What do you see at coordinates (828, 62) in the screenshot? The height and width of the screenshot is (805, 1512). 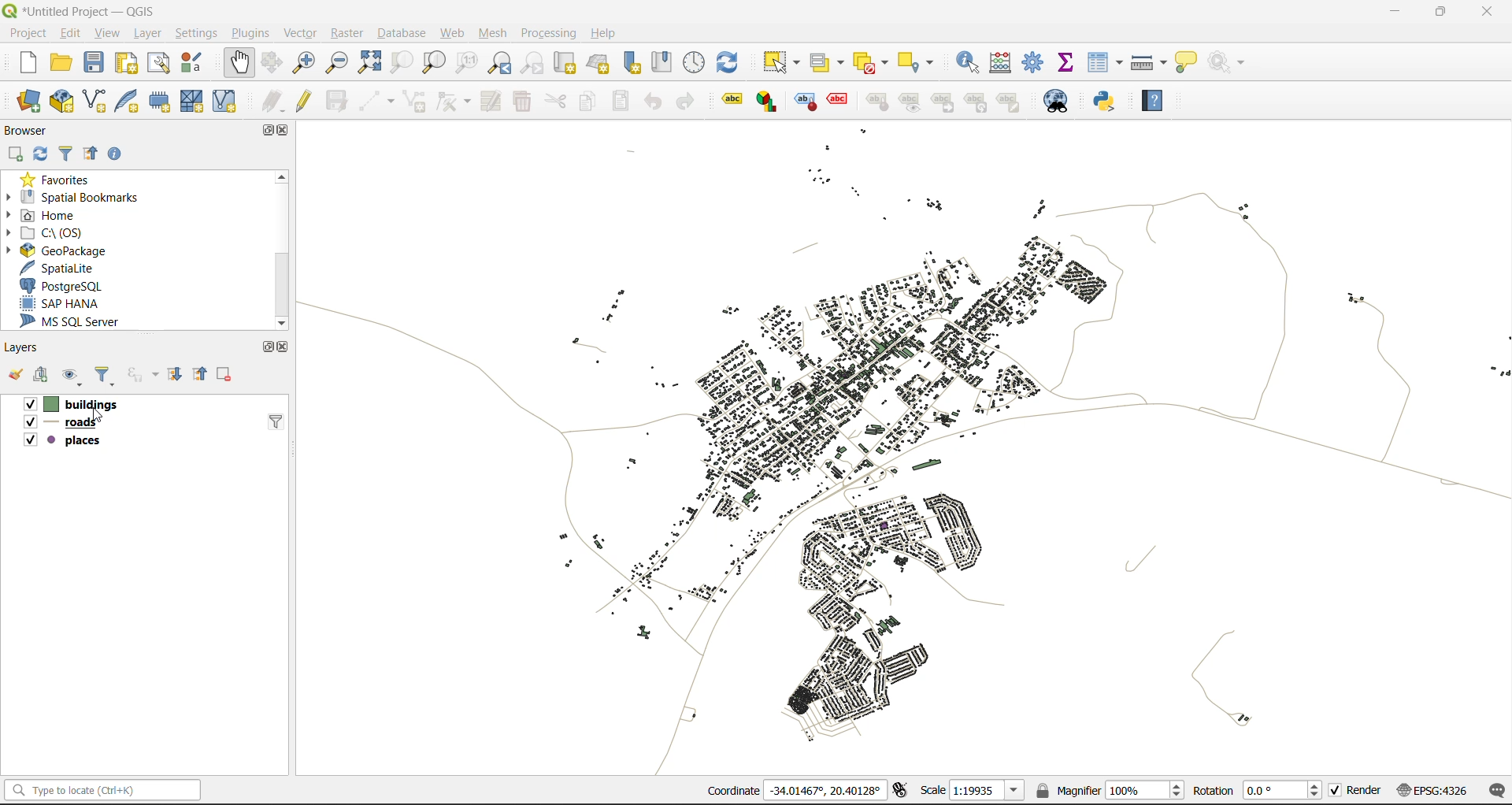 I see `select value` at bounding box center [828, 62].